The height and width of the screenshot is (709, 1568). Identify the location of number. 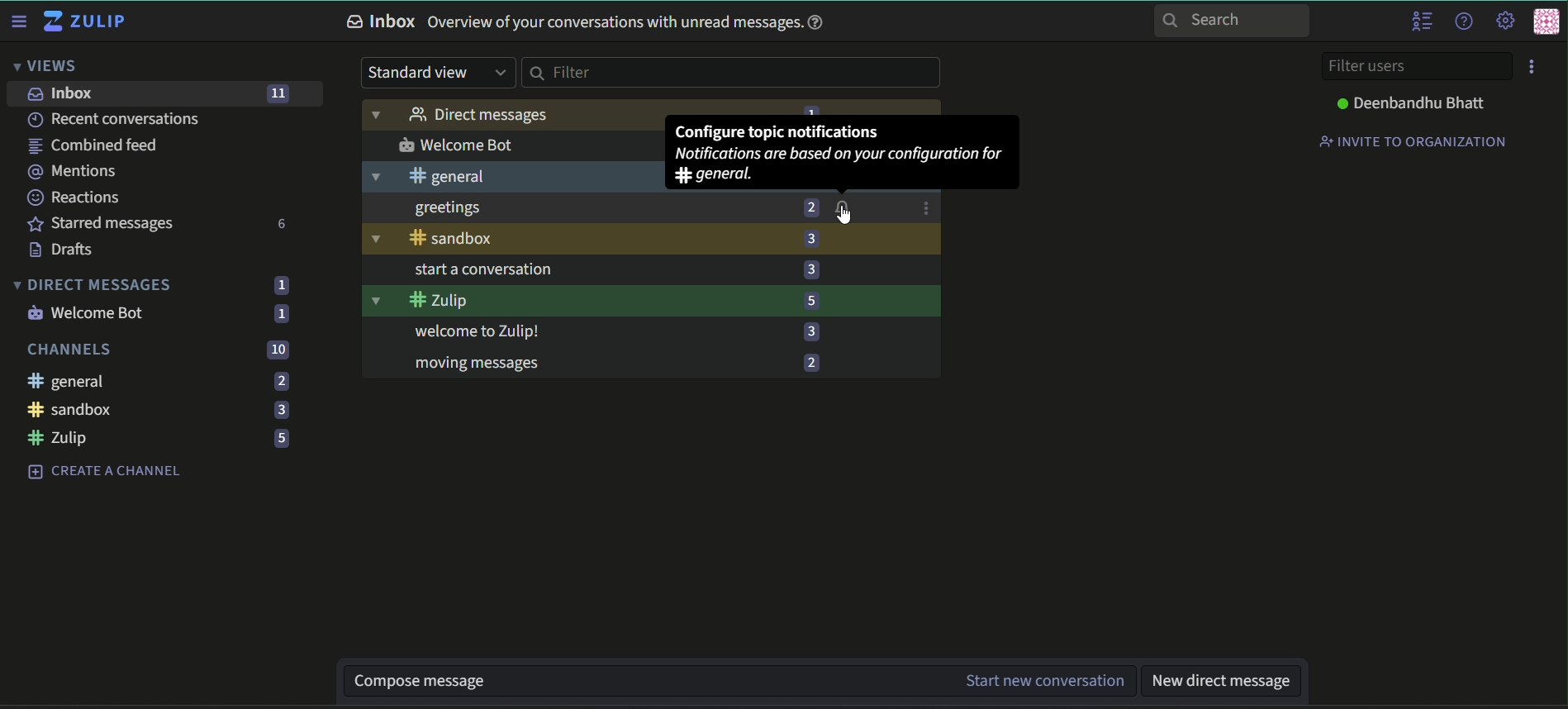
(812, 300).